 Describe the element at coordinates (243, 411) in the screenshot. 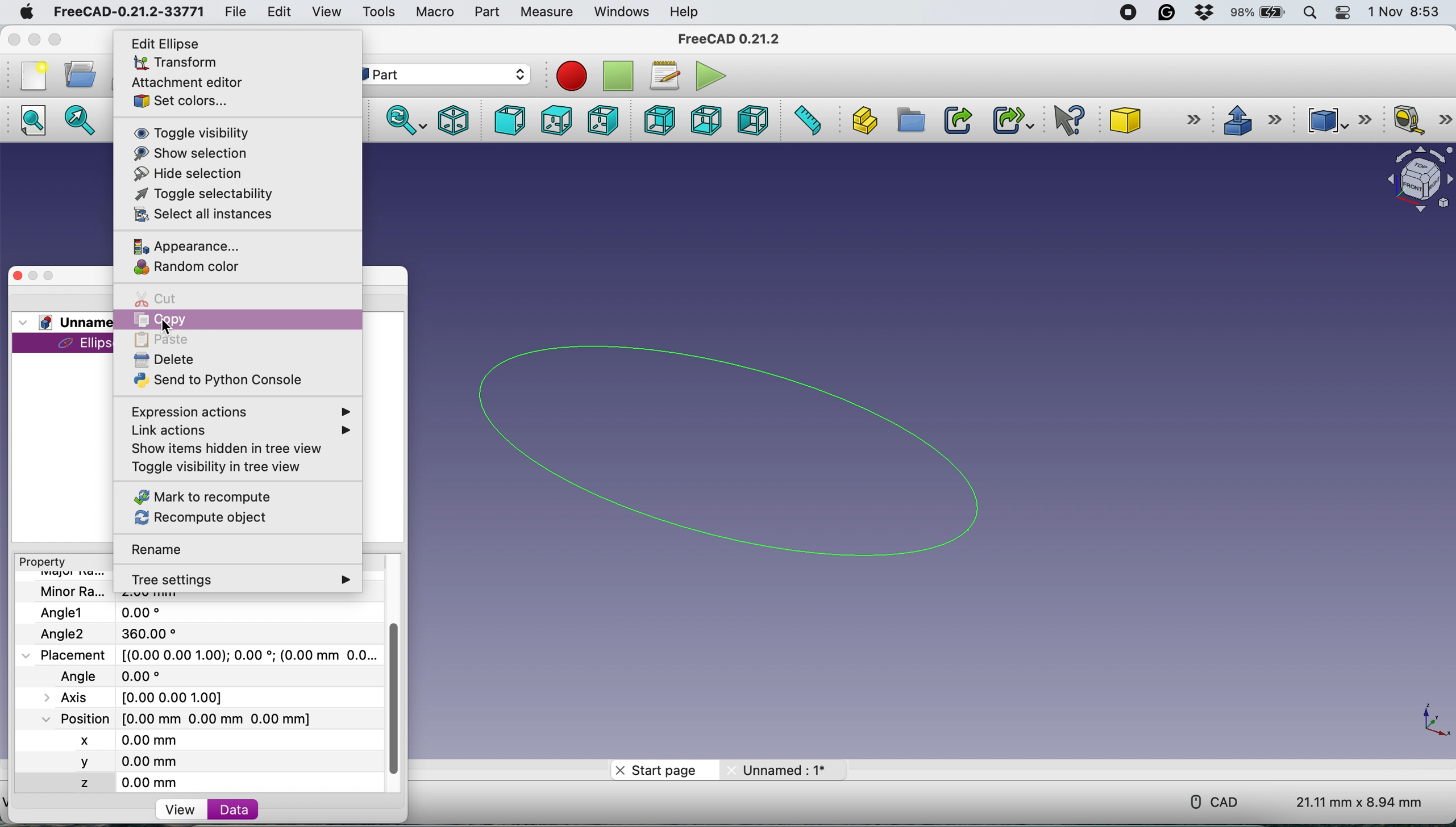

I see `expression actions` at that location.